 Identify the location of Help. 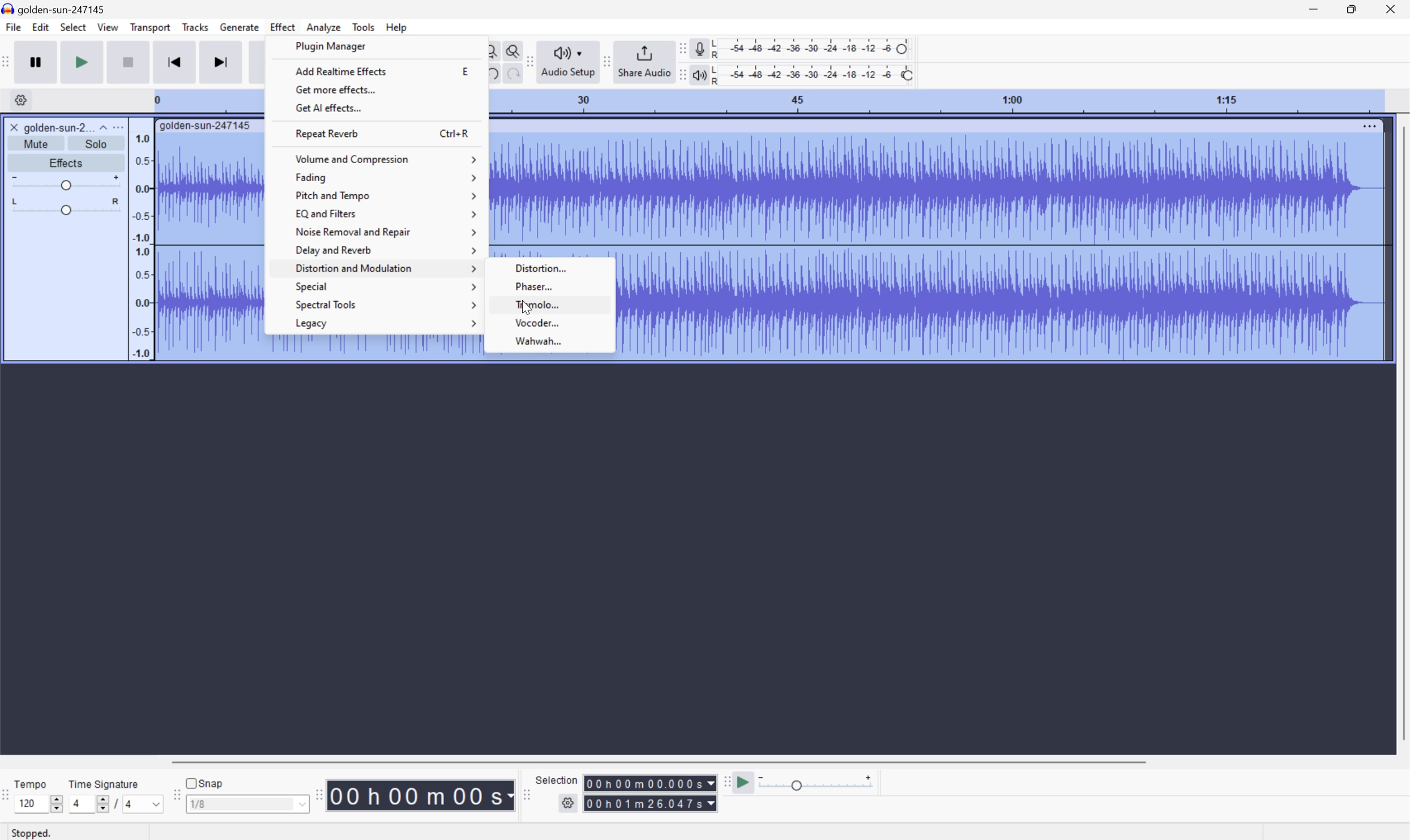
(397, 26).